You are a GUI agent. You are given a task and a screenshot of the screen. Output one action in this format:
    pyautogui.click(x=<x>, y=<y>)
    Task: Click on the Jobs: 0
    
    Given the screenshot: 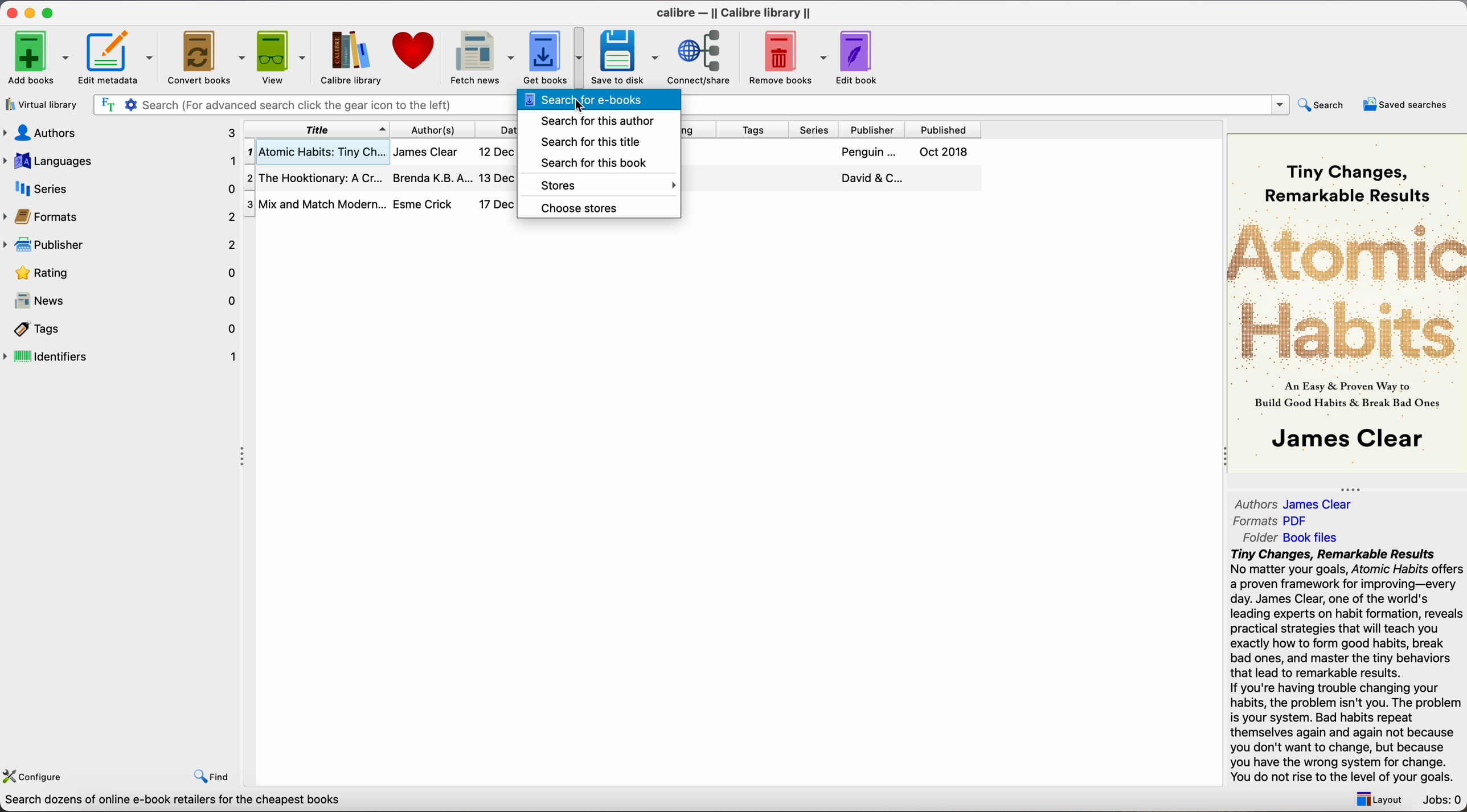 What is the action you would take?
    pyautogui.click(x=1443, y=801)
    